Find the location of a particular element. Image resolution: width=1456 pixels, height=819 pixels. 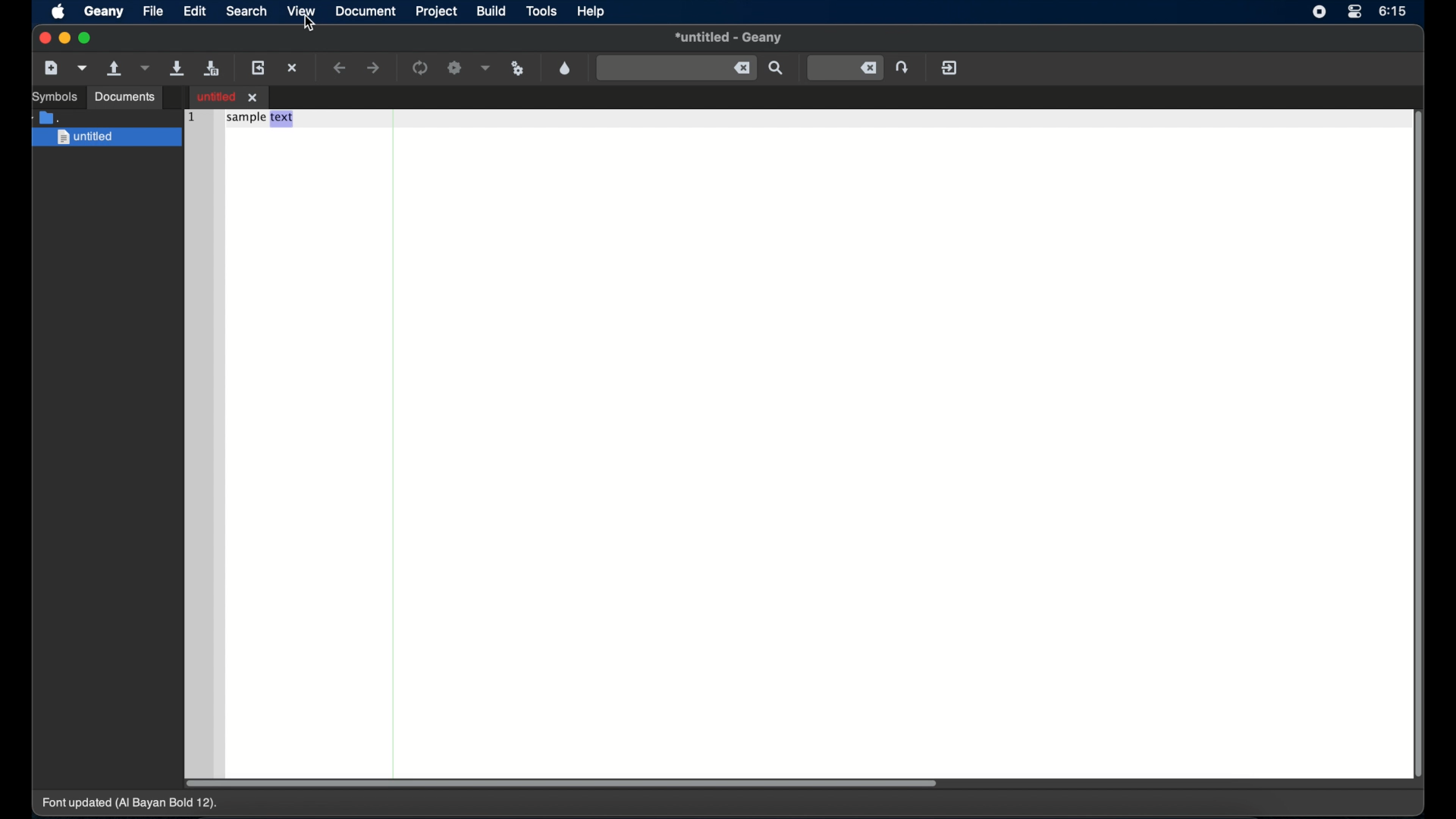

jump to entered line number is located at coordinates (846, 68).